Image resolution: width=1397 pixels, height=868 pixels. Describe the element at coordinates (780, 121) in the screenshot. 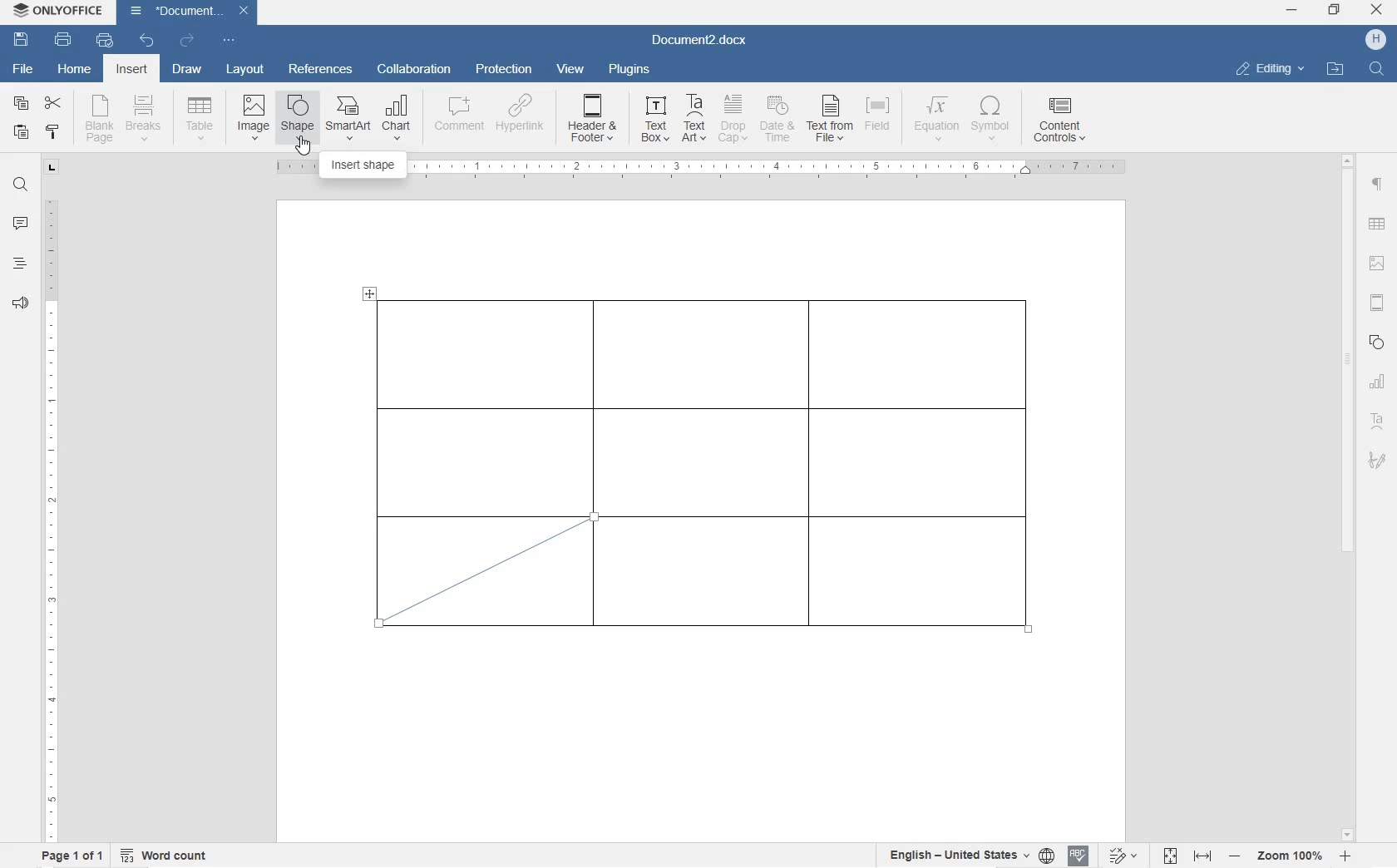

I see `DATE & TIME` at that location.